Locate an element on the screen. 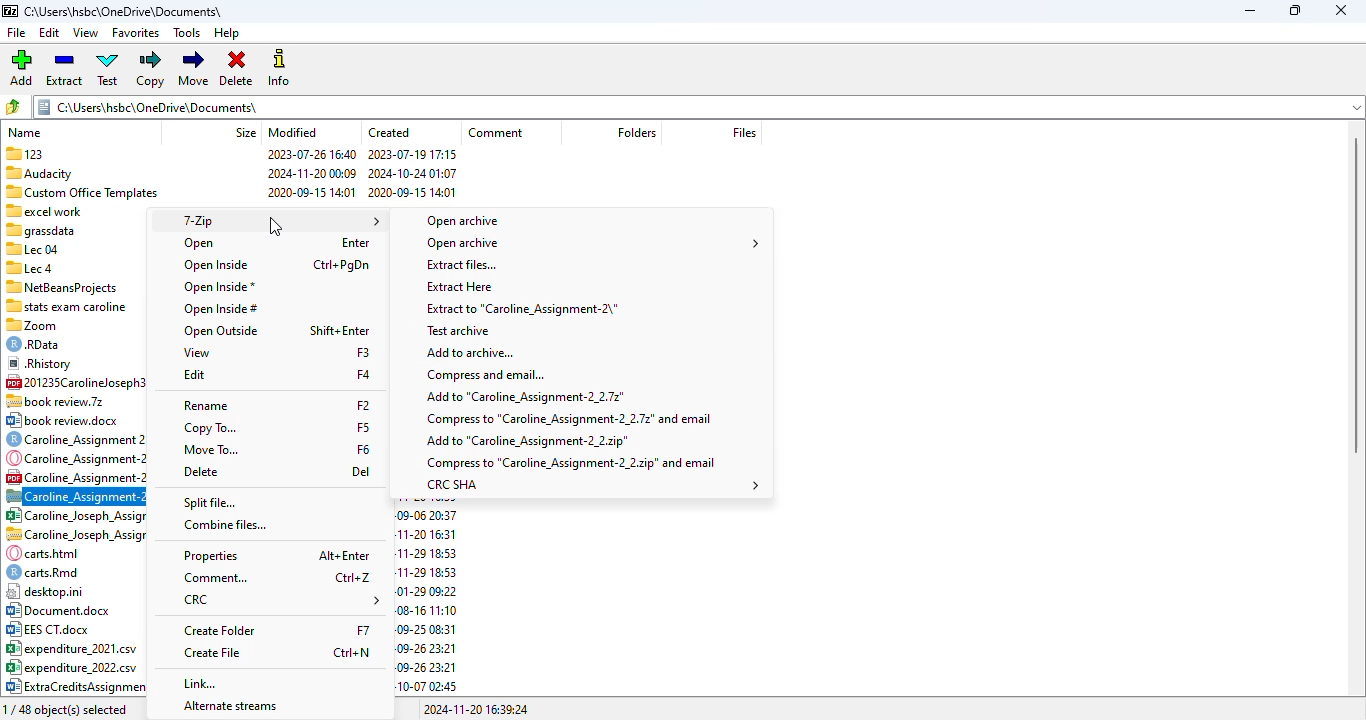 The image size is (1366, 720). logo is located at coordinates (9, 11).